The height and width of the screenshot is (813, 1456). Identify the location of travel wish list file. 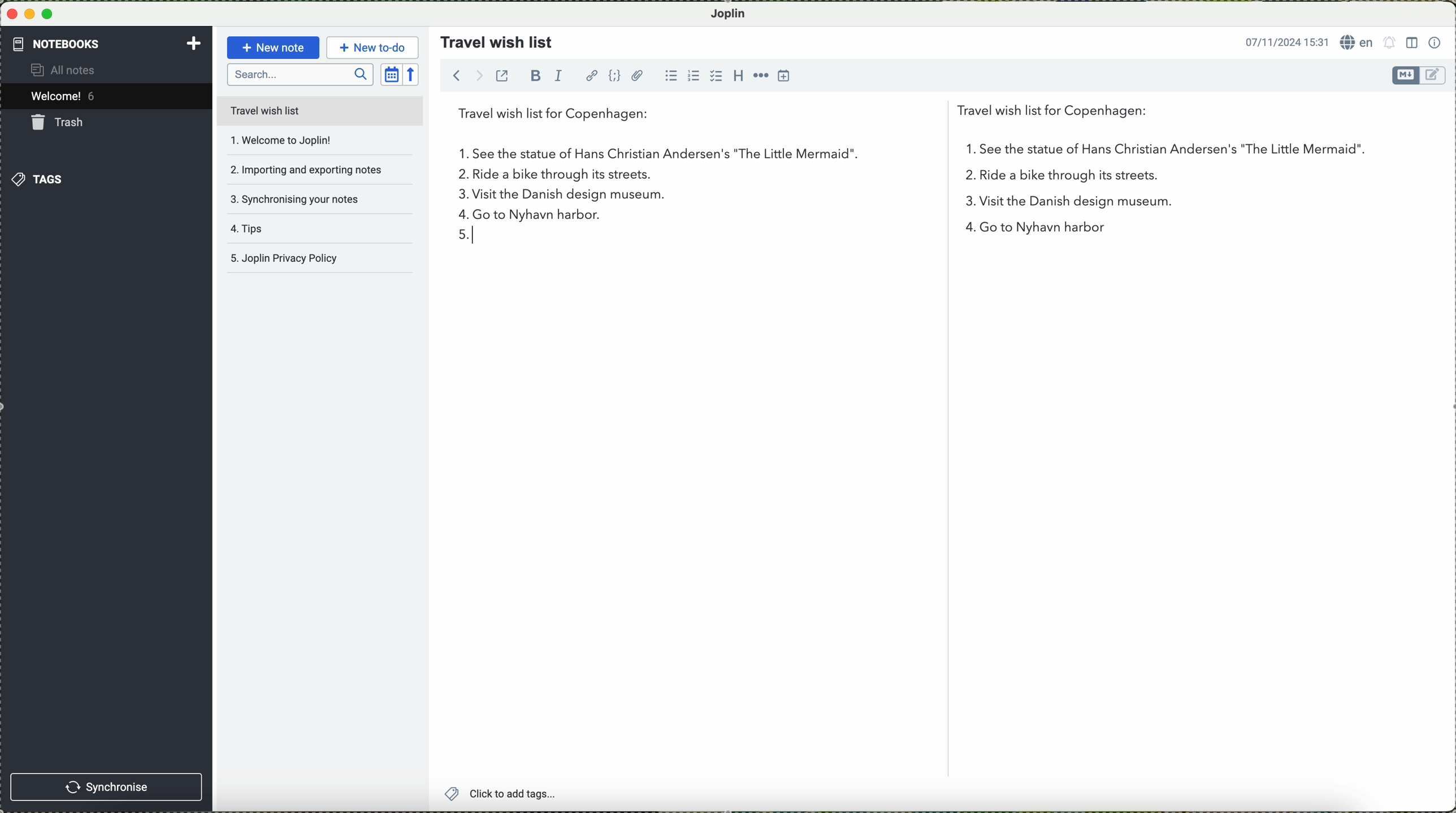
(319, 110).